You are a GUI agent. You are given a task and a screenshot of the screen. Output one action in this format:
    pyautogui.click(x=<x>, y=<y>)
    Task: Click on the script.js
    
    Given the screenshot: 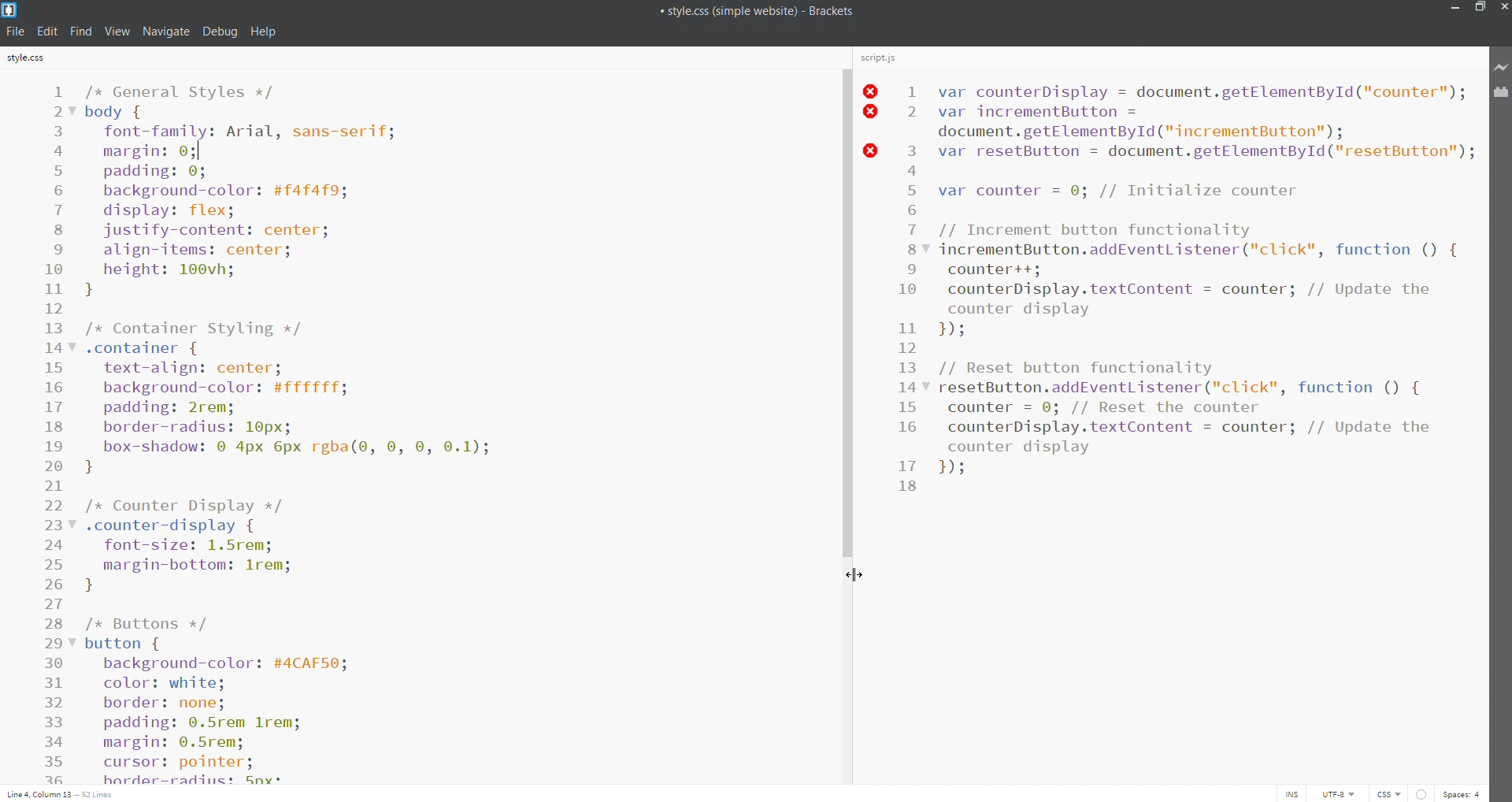 What is the action you would take?
    pyautogui.click(x=886, y=58)
    